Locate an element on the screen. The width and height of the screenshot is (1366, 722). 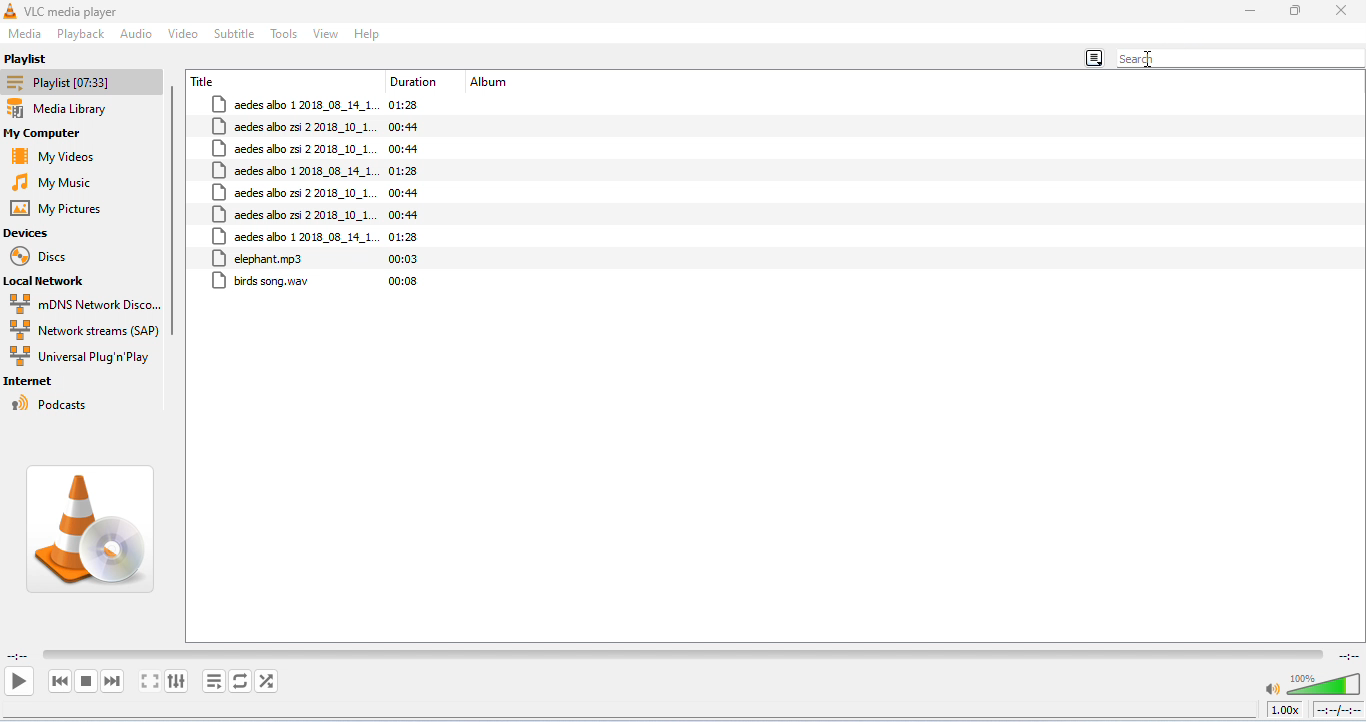
00:44 is located at coordinates (406, 215).